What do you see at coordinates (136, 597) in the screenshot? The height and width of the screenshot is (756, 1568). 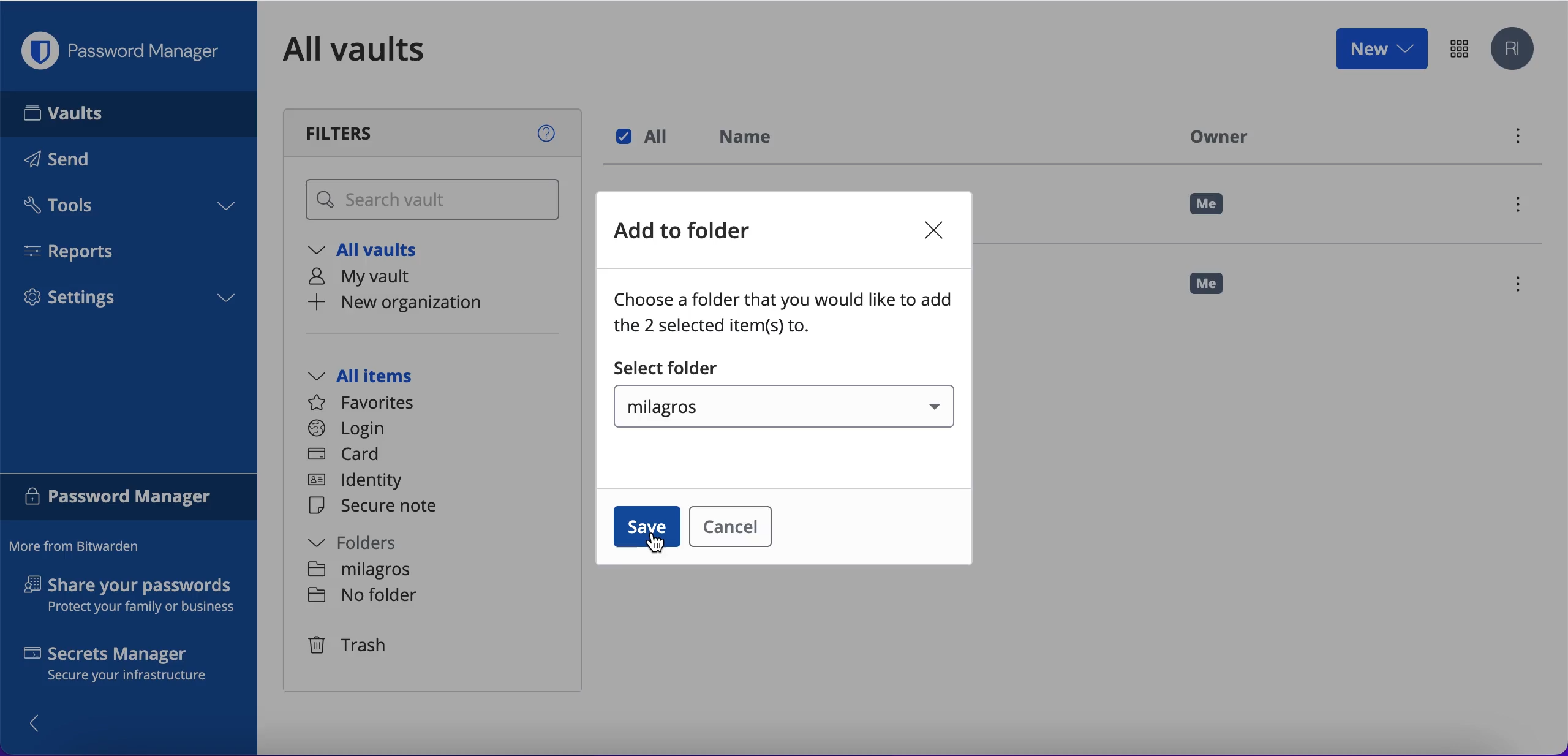 I see `share your passwords protect your family or business` at bounding box center [136, 597].